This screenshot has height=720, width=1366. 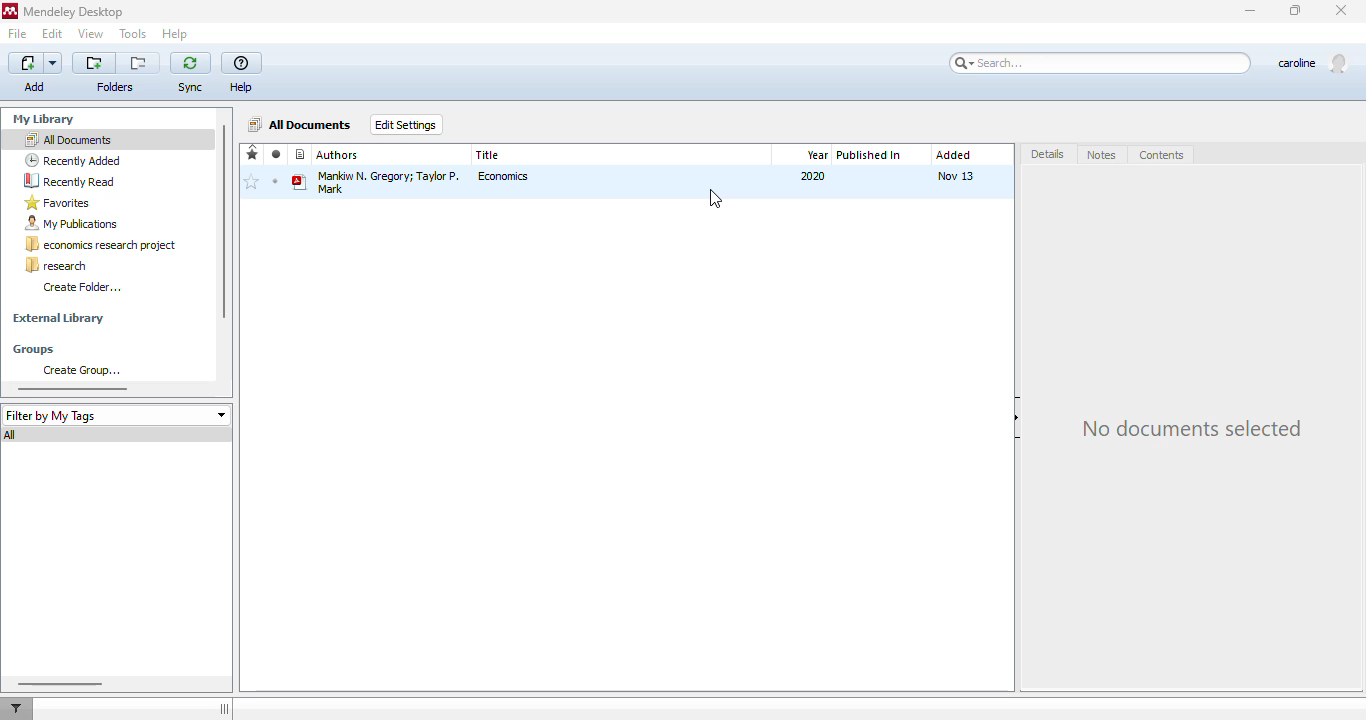 I want to click on help, so click(x=175, y=35).